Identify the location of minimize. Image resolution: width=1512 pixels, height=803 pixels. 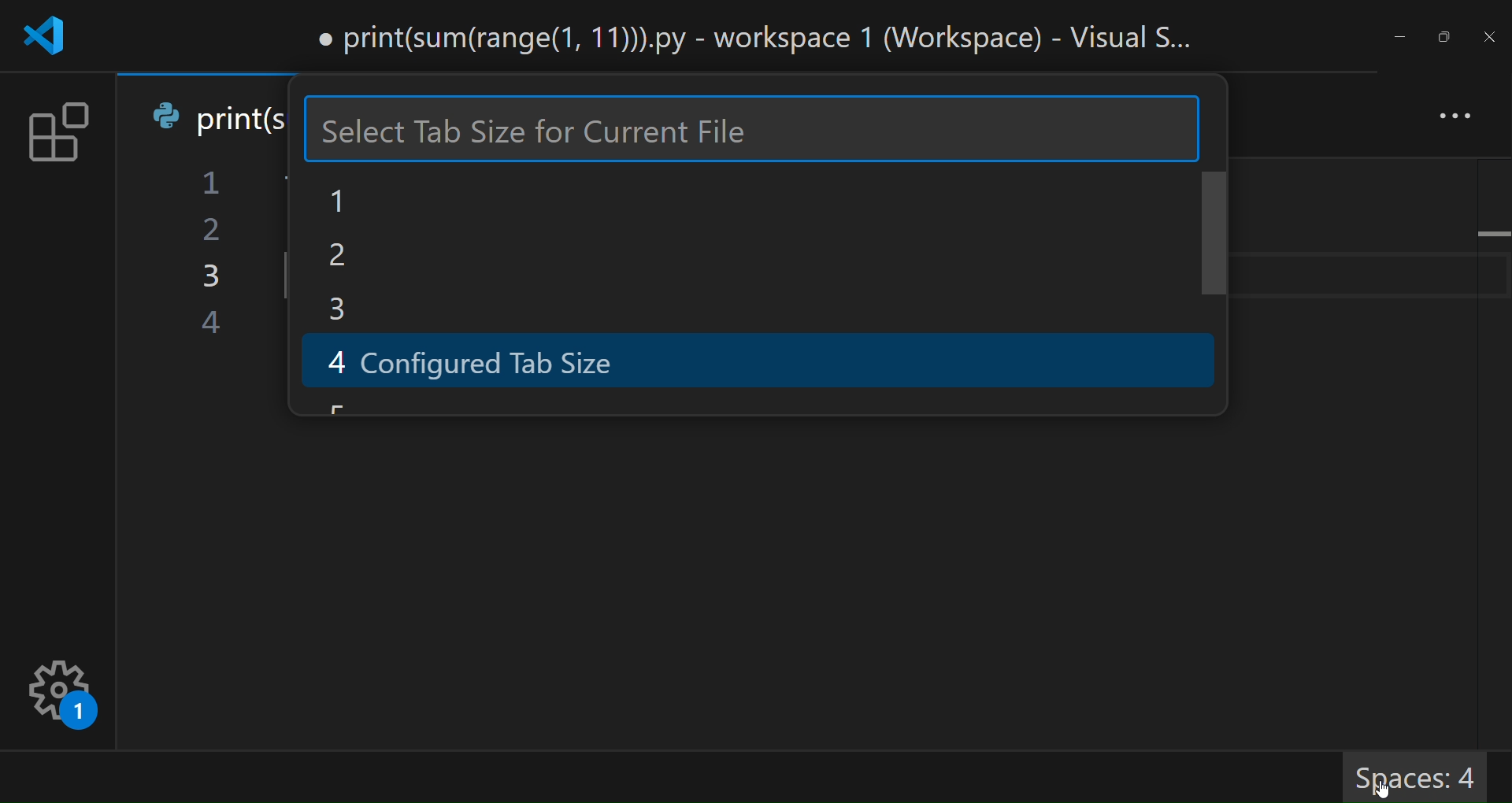
(1398, 37).